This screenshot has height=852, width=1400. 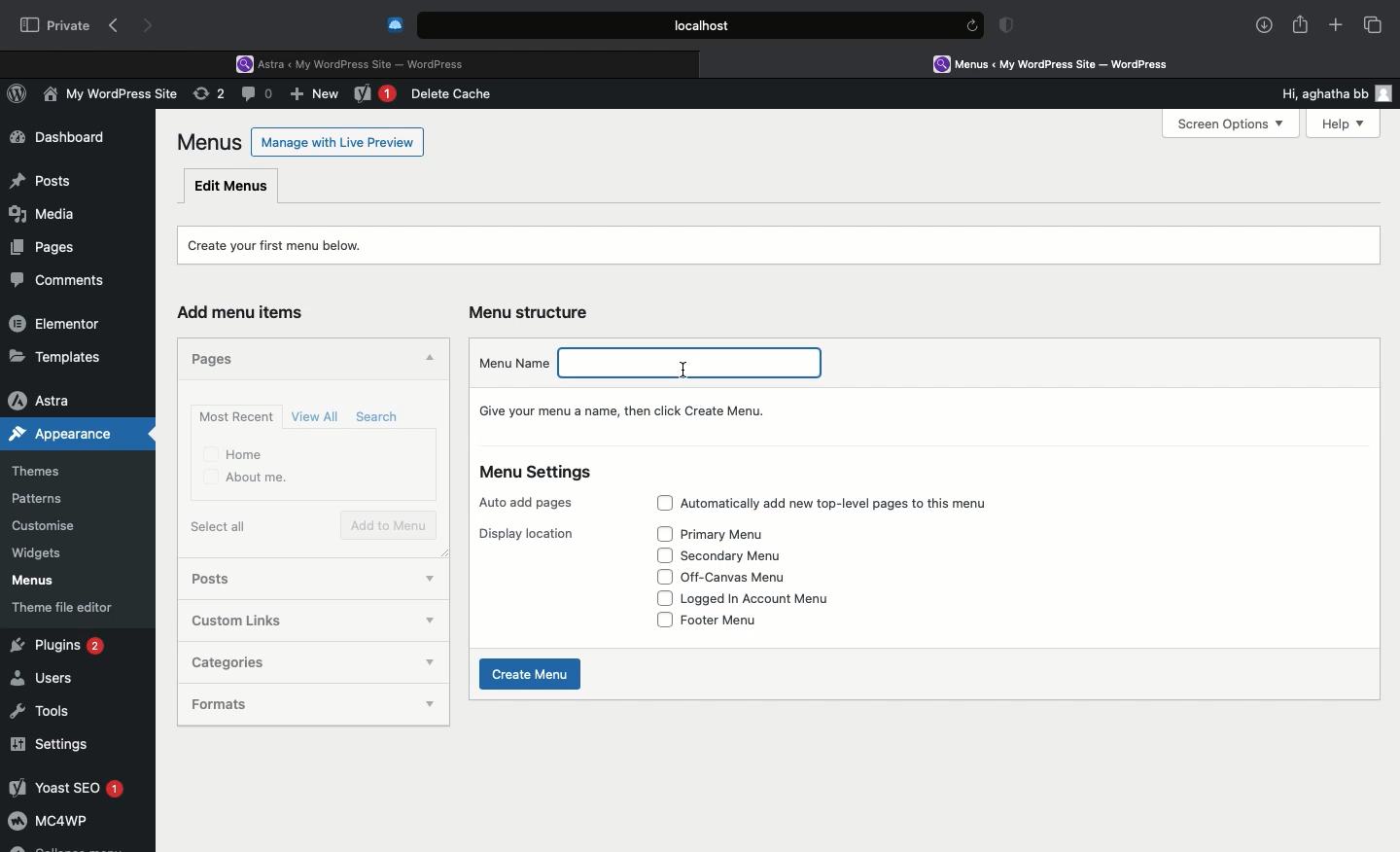 What do you see at coordinates (1229, 124) in the screenshot?
I see `Screen Options` at bounding box center [1229, 124].